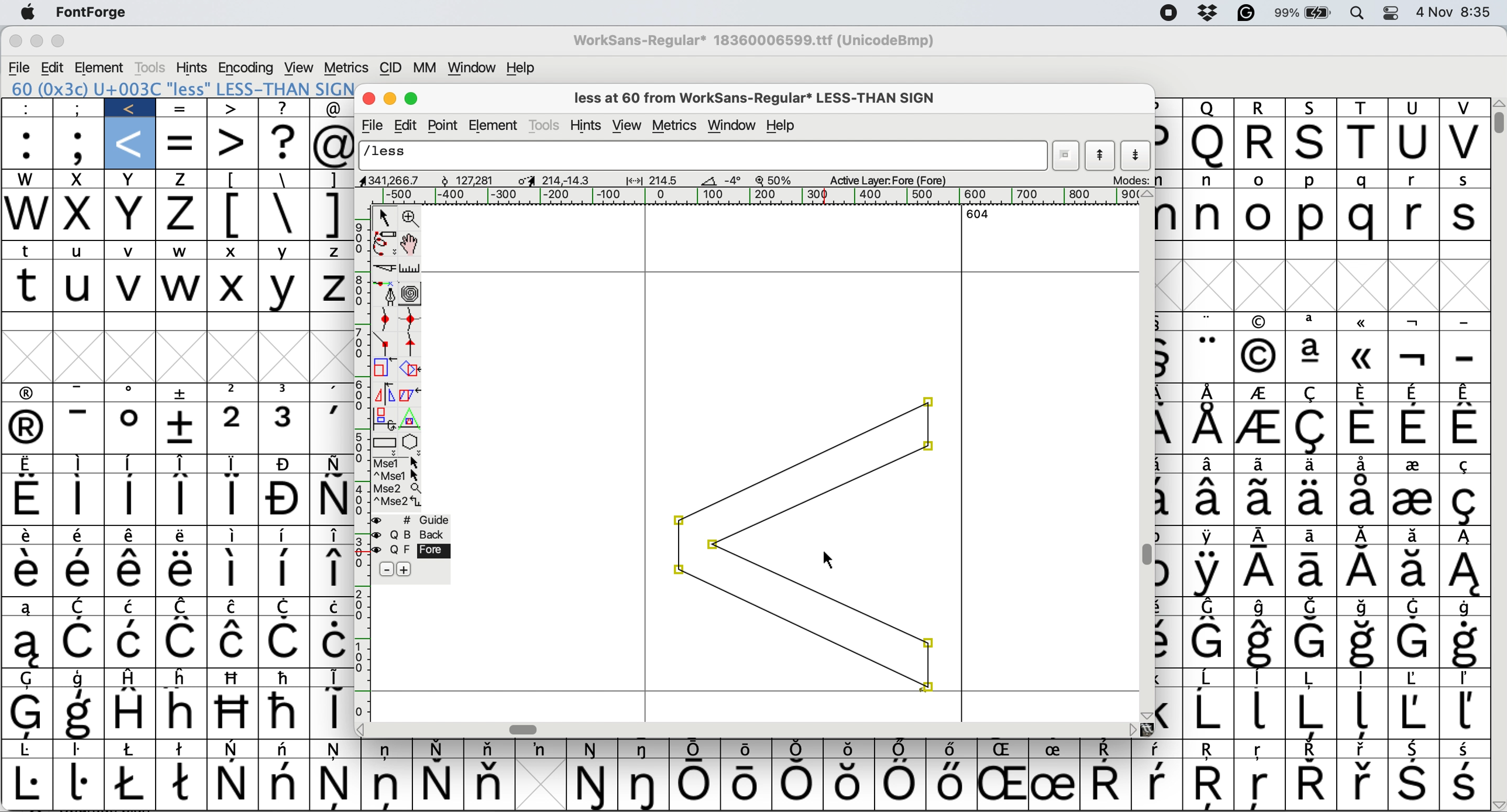 This screenshot has height=812, width=1507. I want to click on x, so click(131, 180).